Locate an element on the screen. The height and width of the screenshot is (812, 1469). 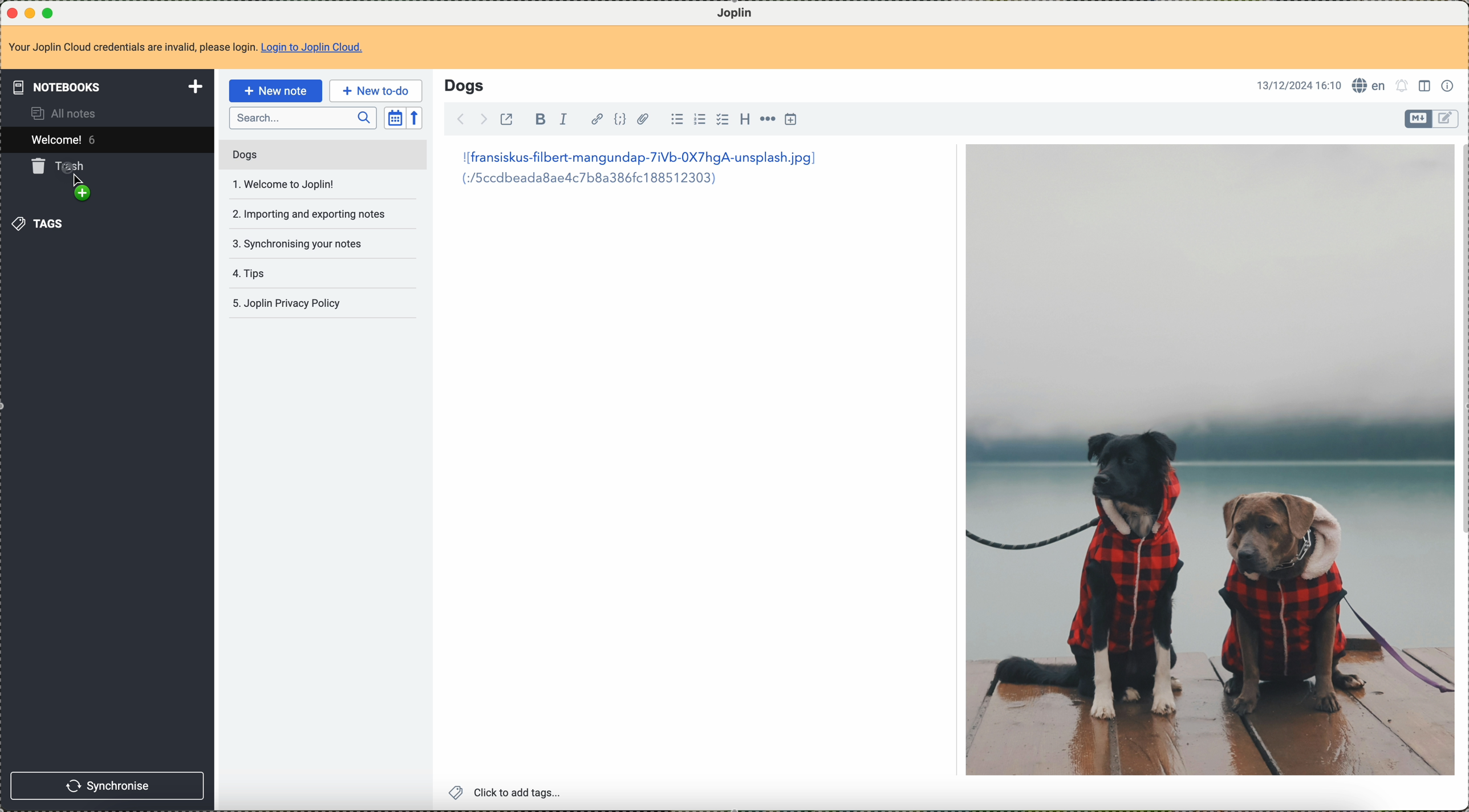
reverse sort order is located at coordinates (416, 118).